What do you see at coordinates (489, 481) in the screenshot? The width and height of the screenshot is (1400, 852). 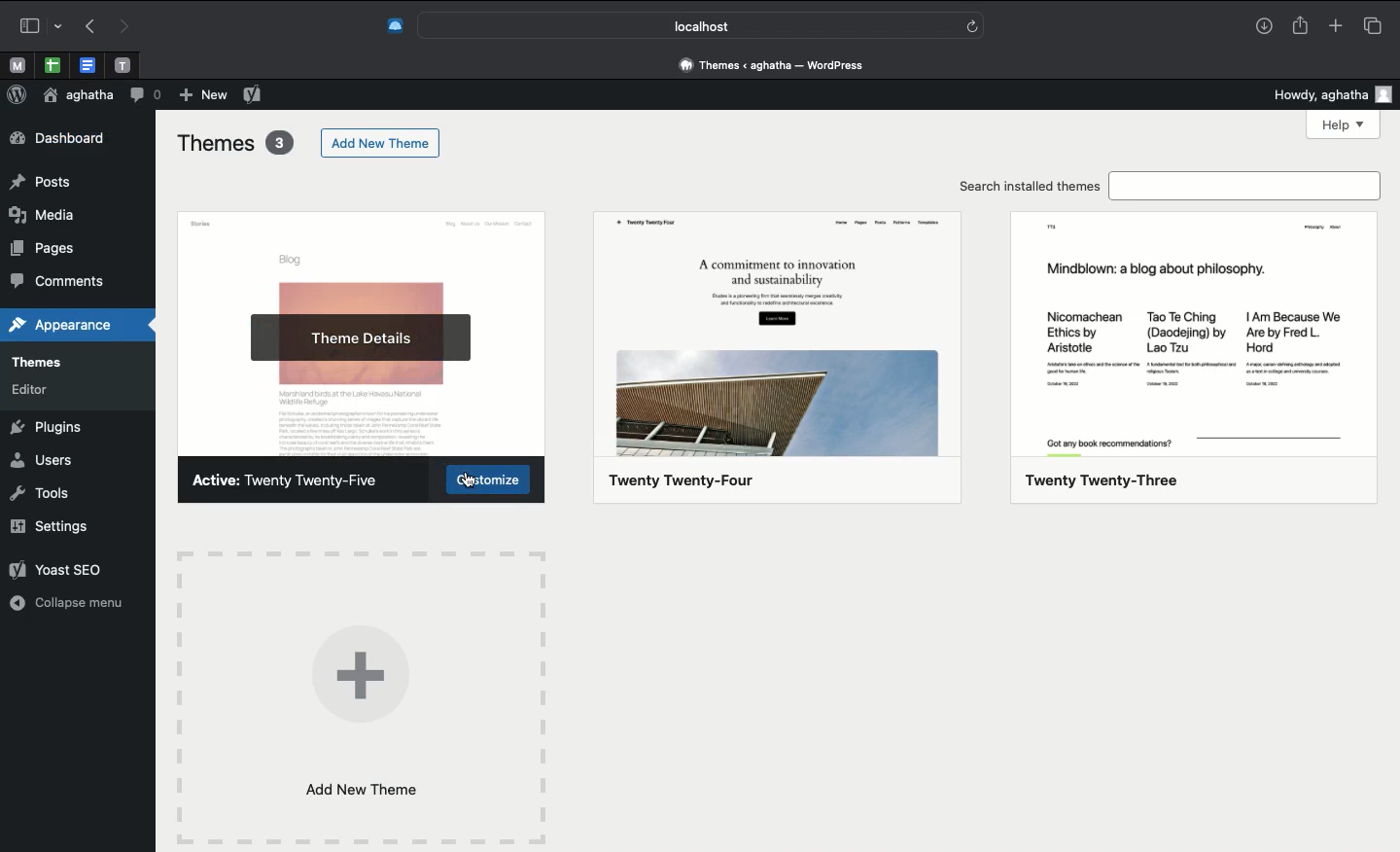 I see `Customize` at bounding box center [489, 481].